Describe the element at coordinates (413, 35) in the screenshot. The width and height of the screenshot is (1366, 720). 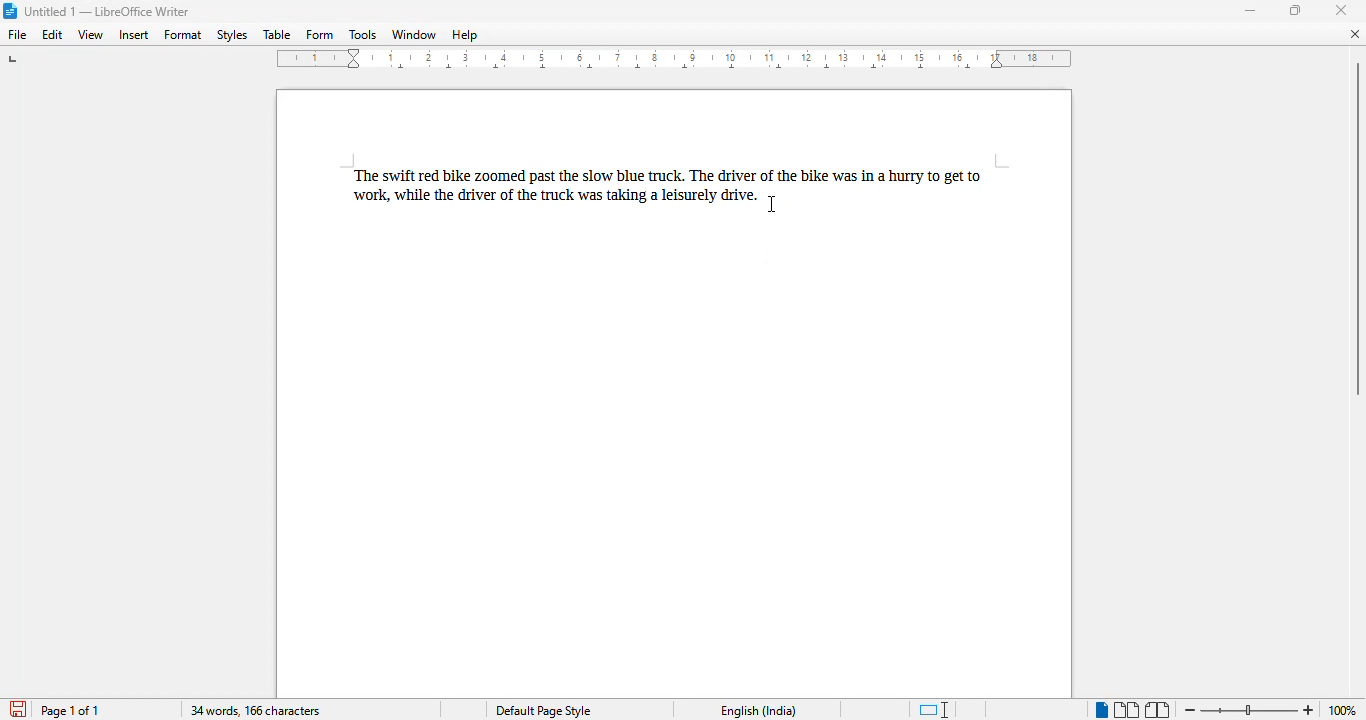
I see `window` at that location.